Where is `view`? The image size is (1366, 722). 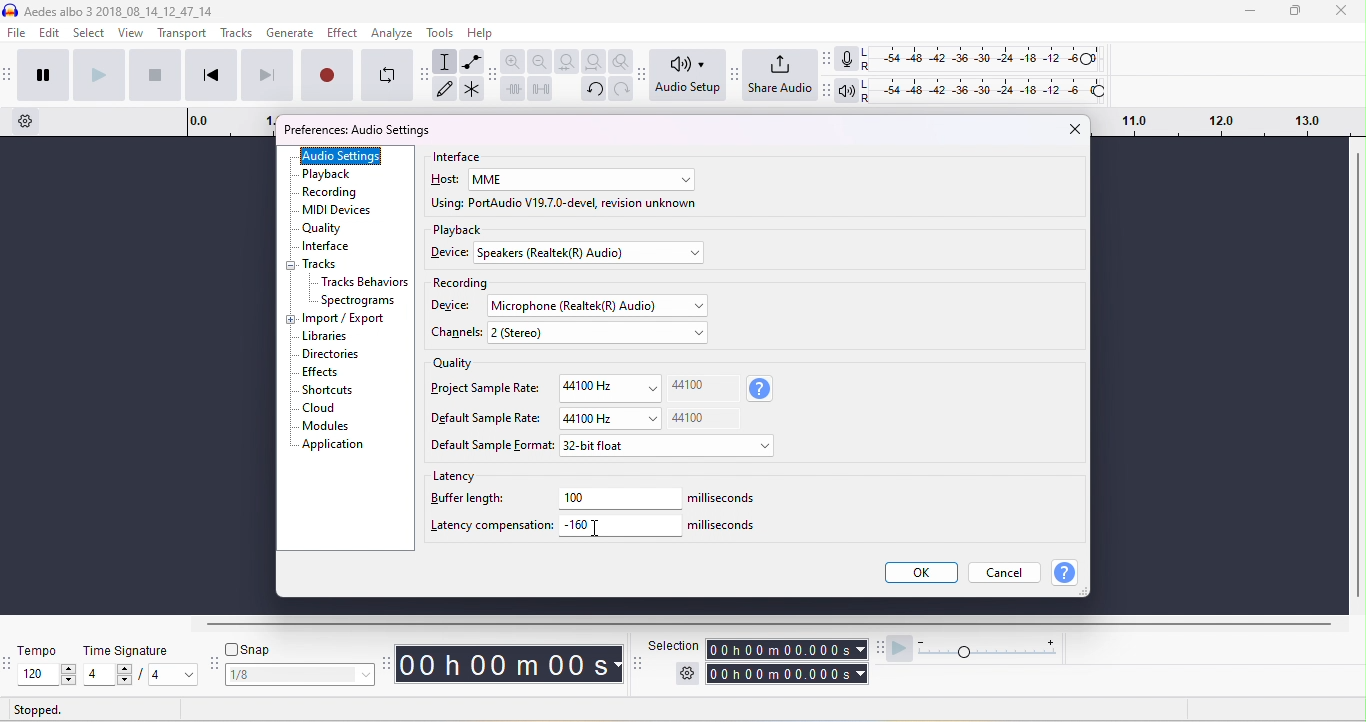
view is located at coordinates (132, 32).